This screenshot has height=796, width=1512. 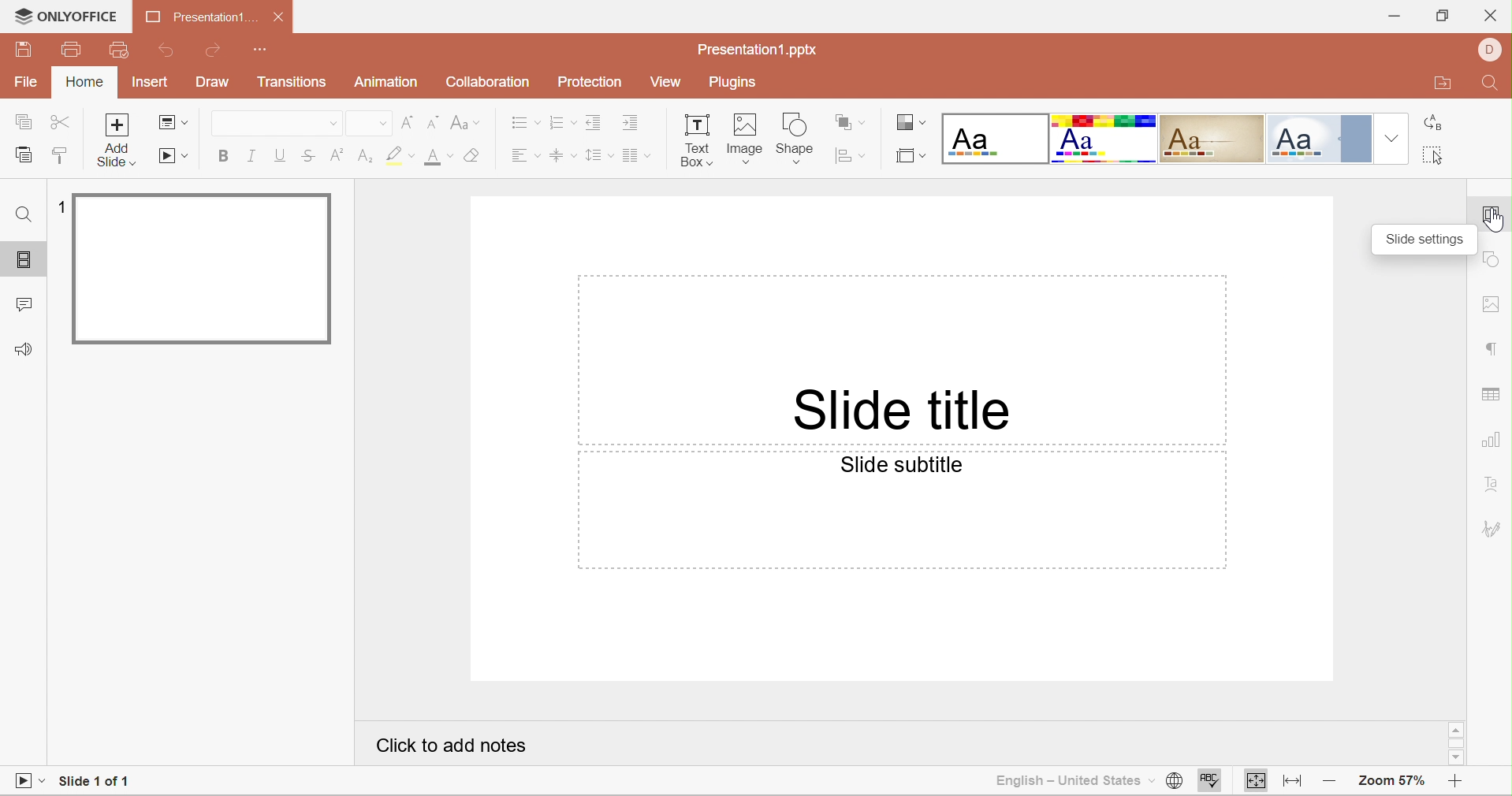 What do you see at coordinates (1456, 746) in the screenshot?
I see `Scroll Bar` at bounding box center [1456, 746].